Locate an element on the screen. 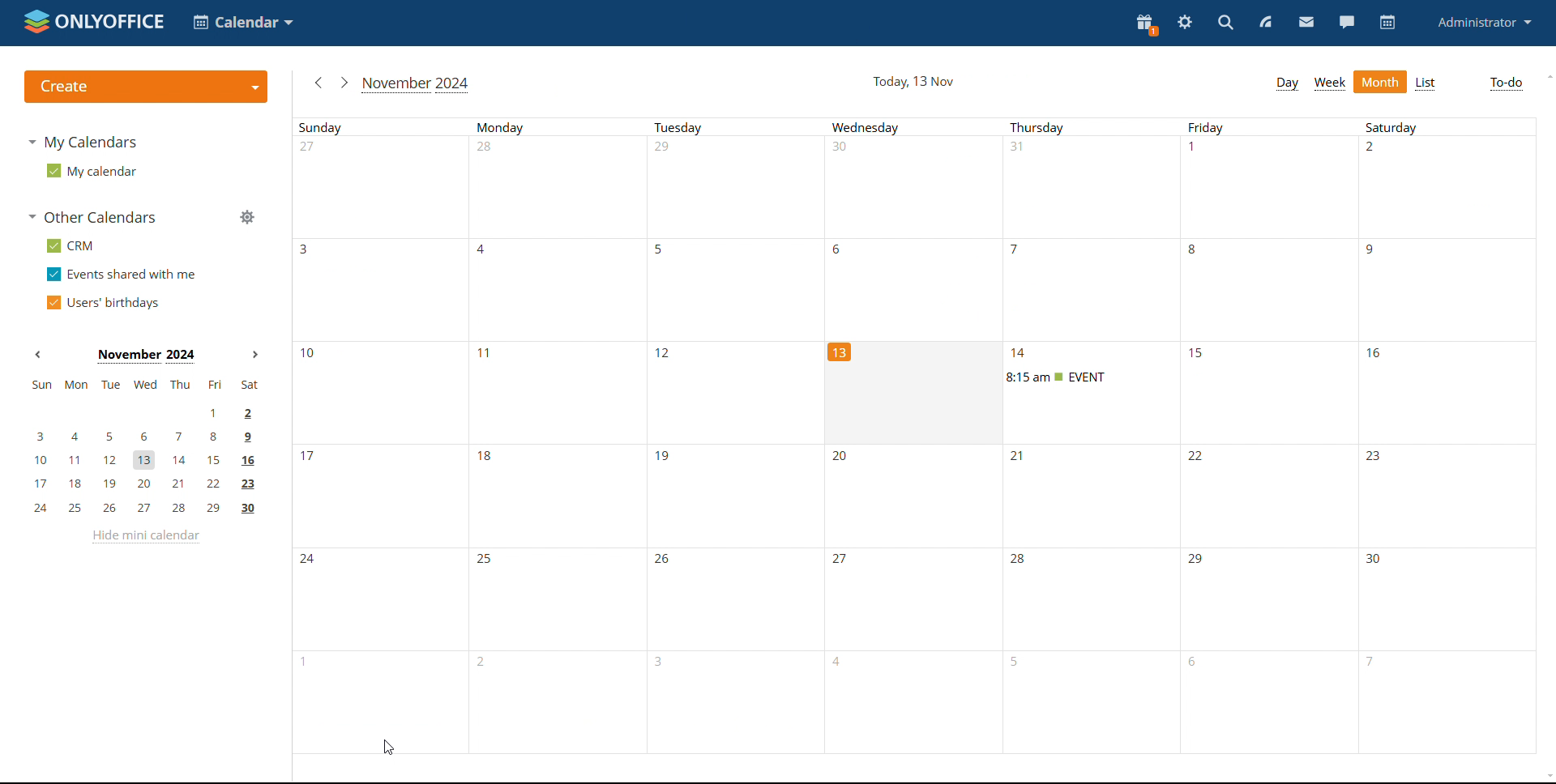 The width and height of the screenshot is (1556, 784). scroll down is located at coordinates (1546, 777).